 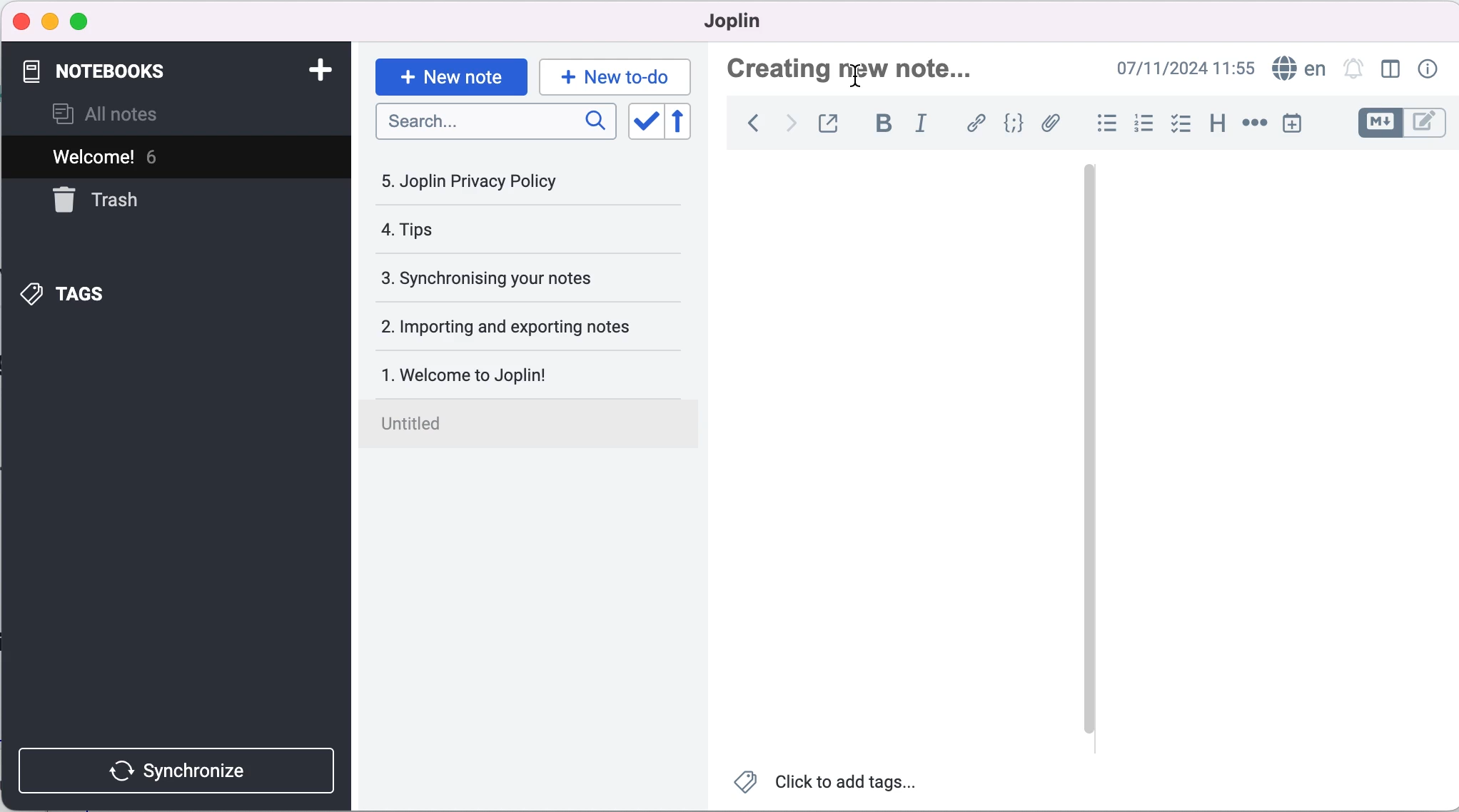 I want to click on check box, so click(x=1177, y=123).